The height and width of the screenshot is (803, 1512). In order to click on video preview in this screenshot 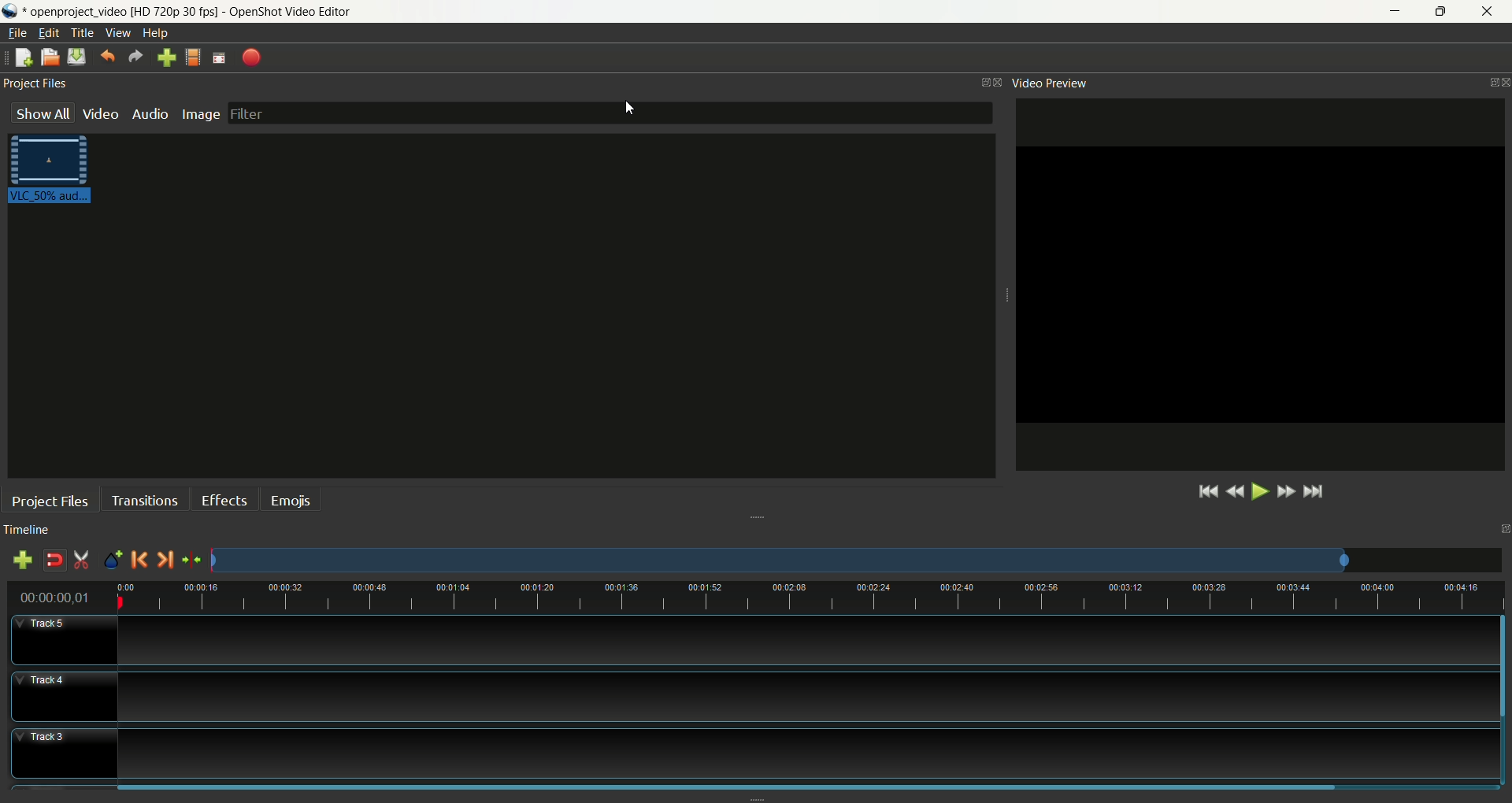, I will do `click(1055, 83)`.